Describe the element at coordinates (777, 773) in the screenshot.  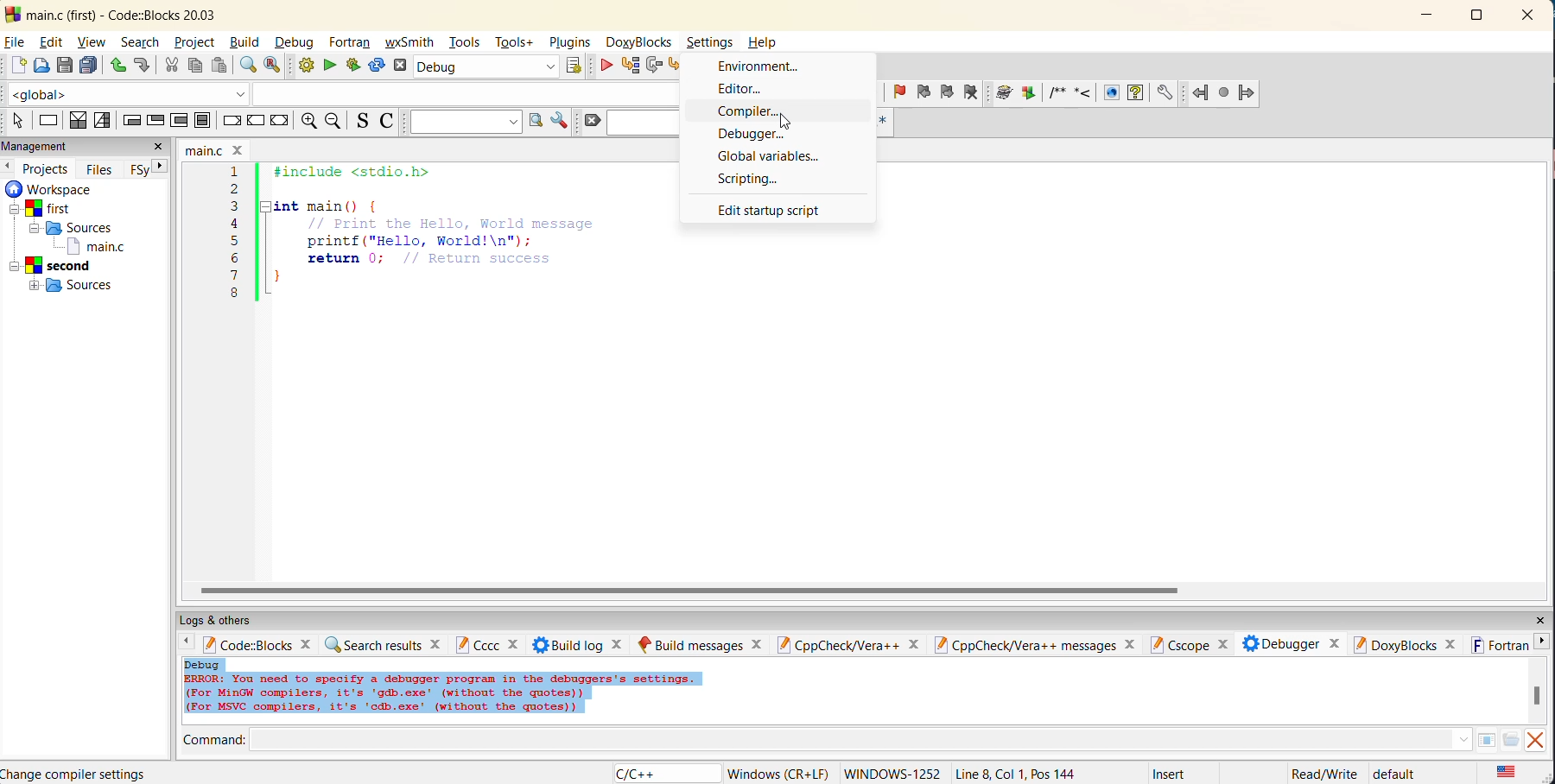
I see `Windows (CR+LF)` at that location.